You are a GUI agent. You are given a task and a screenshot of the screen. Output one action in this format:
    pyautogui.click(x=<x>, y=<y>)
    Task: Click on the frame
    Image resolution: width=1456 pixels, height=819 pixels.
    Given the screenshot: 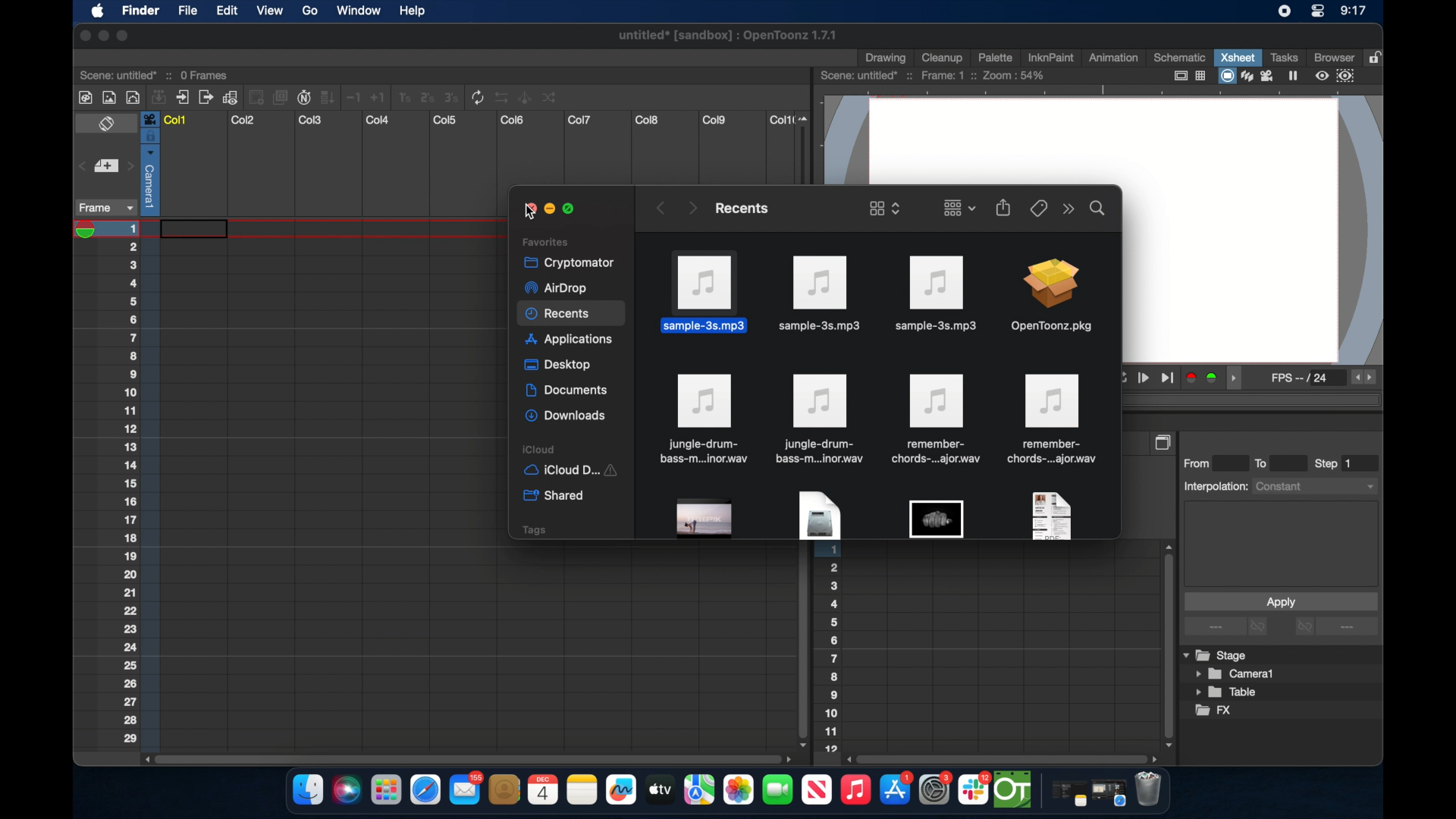 What is the action you would take?
    pyautogui.click(x=103, y=208)
    